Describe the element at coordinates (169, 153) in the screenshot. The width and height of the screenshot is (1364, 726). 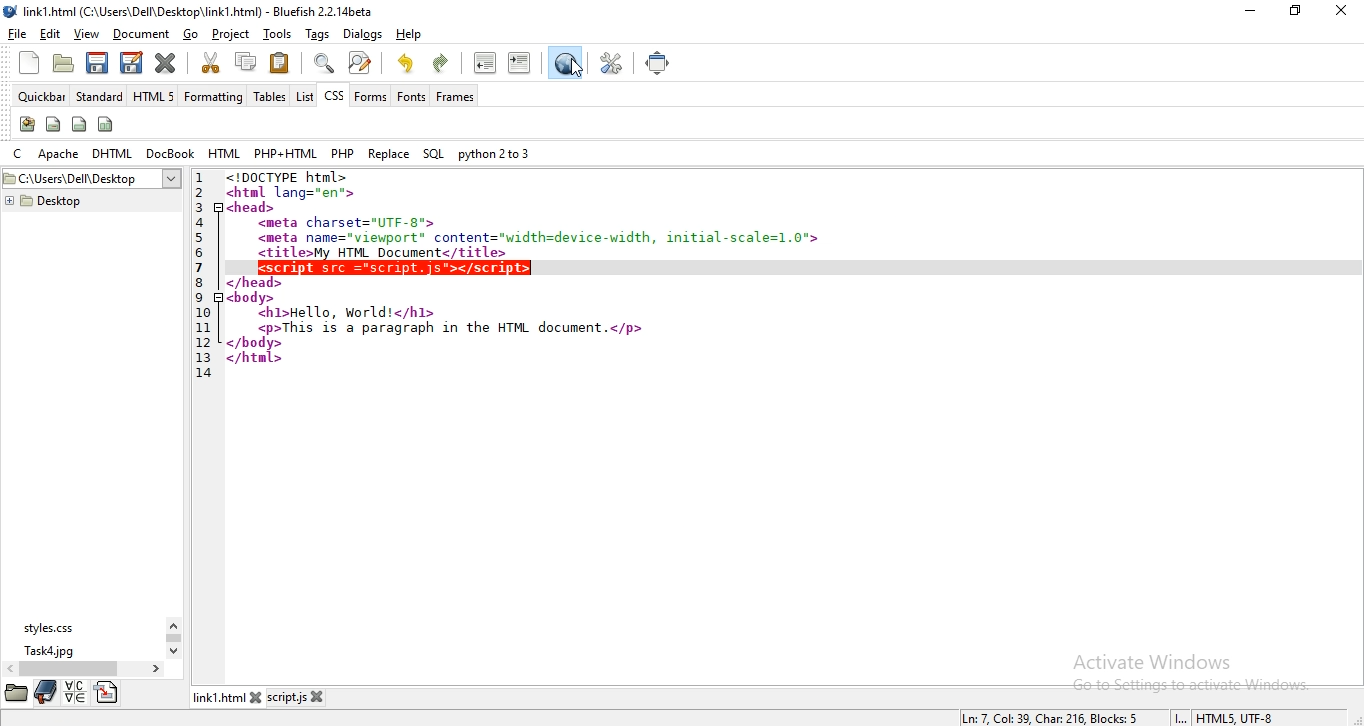
I see `docbook` at that location.